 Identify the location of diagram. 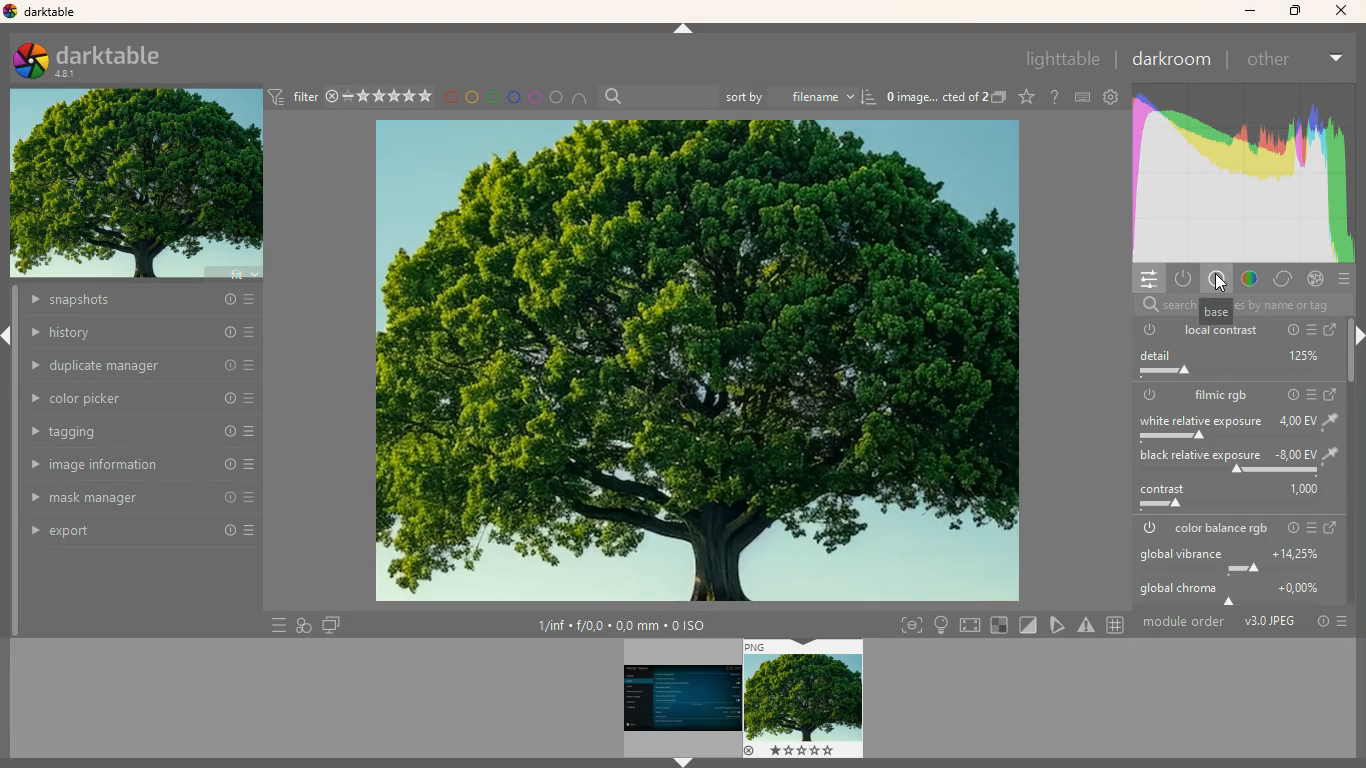
(301, 624).